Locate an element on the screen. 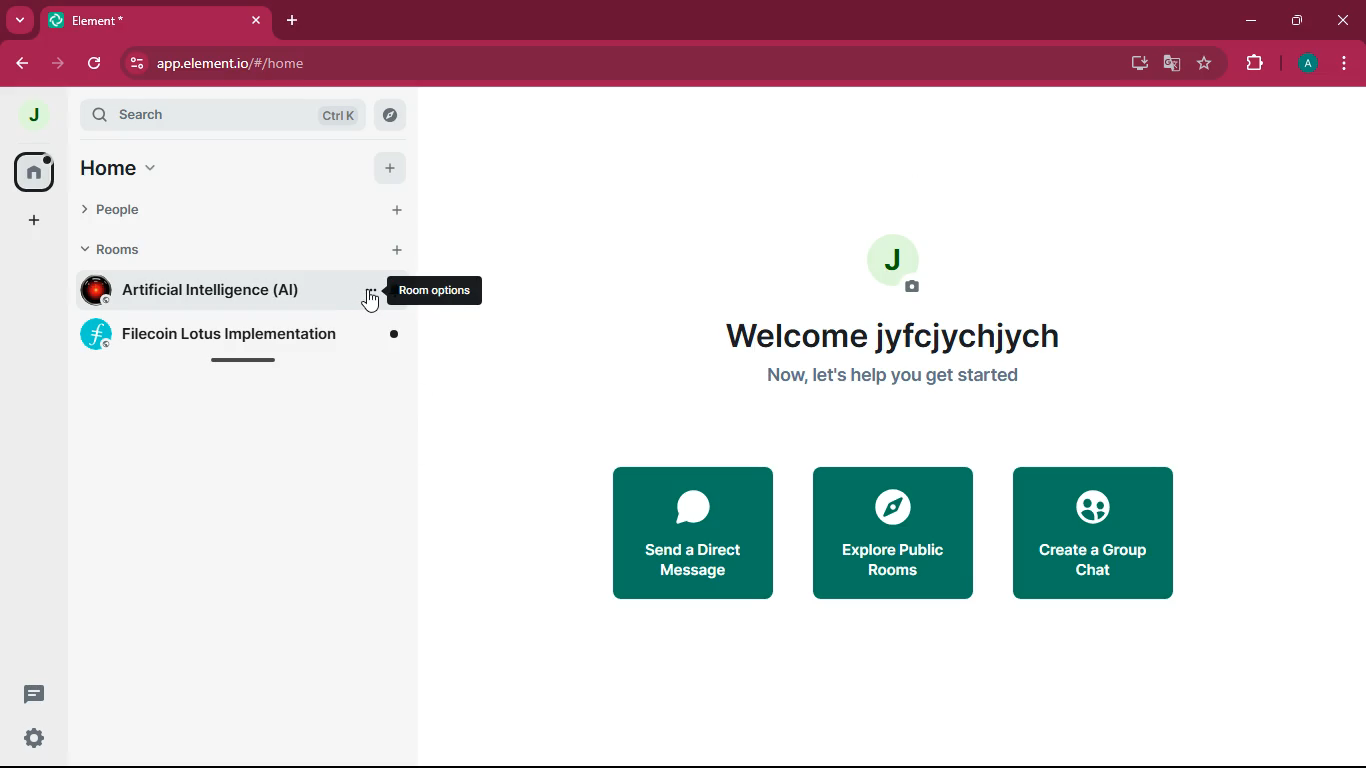  forward is located at coordinates (59, 63).